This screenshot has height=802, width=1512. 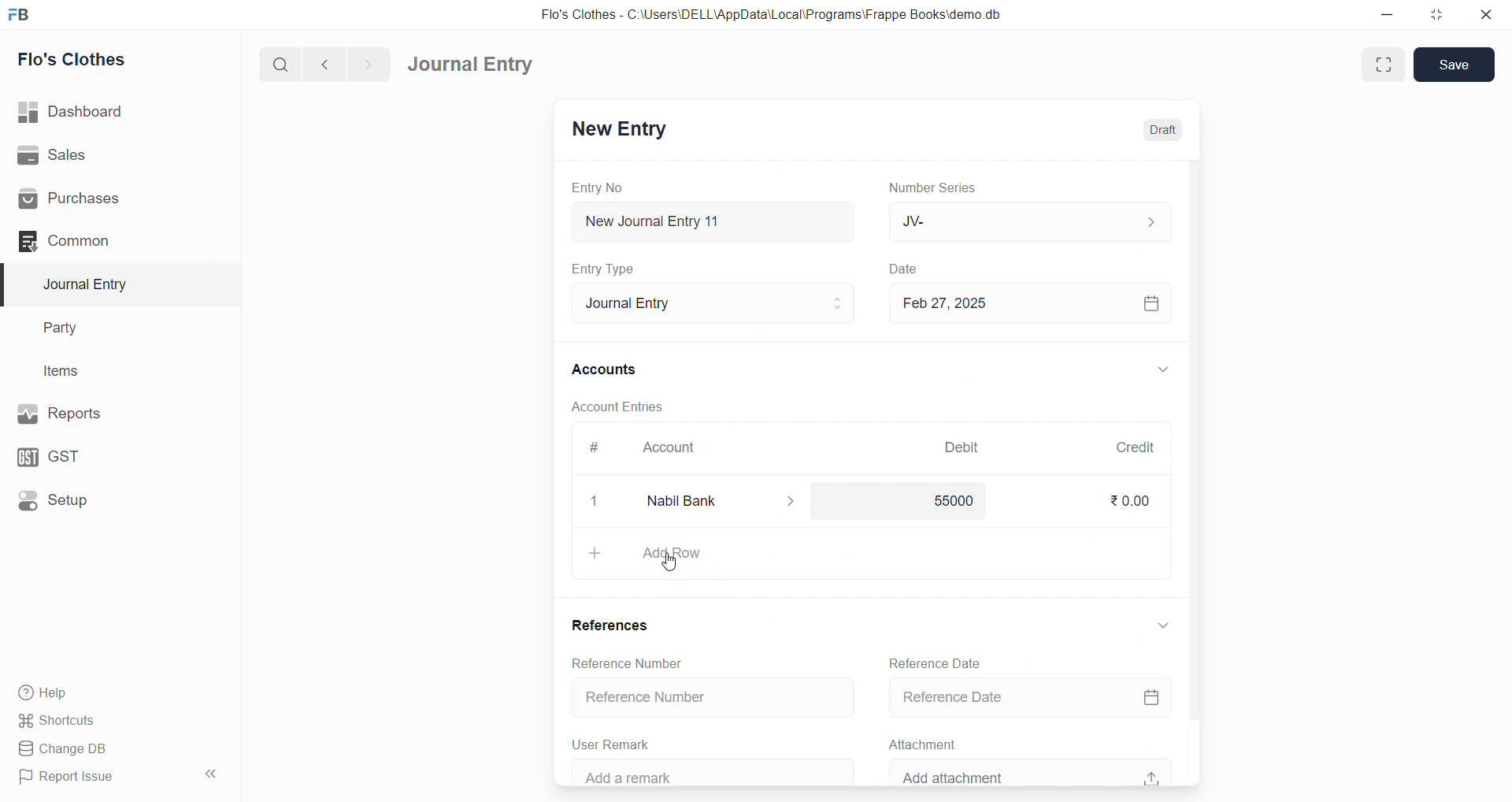 What do you see at coordinates (604, 269) in the screenshot?
I see `Entry Type` at bounding box center [604, 269].